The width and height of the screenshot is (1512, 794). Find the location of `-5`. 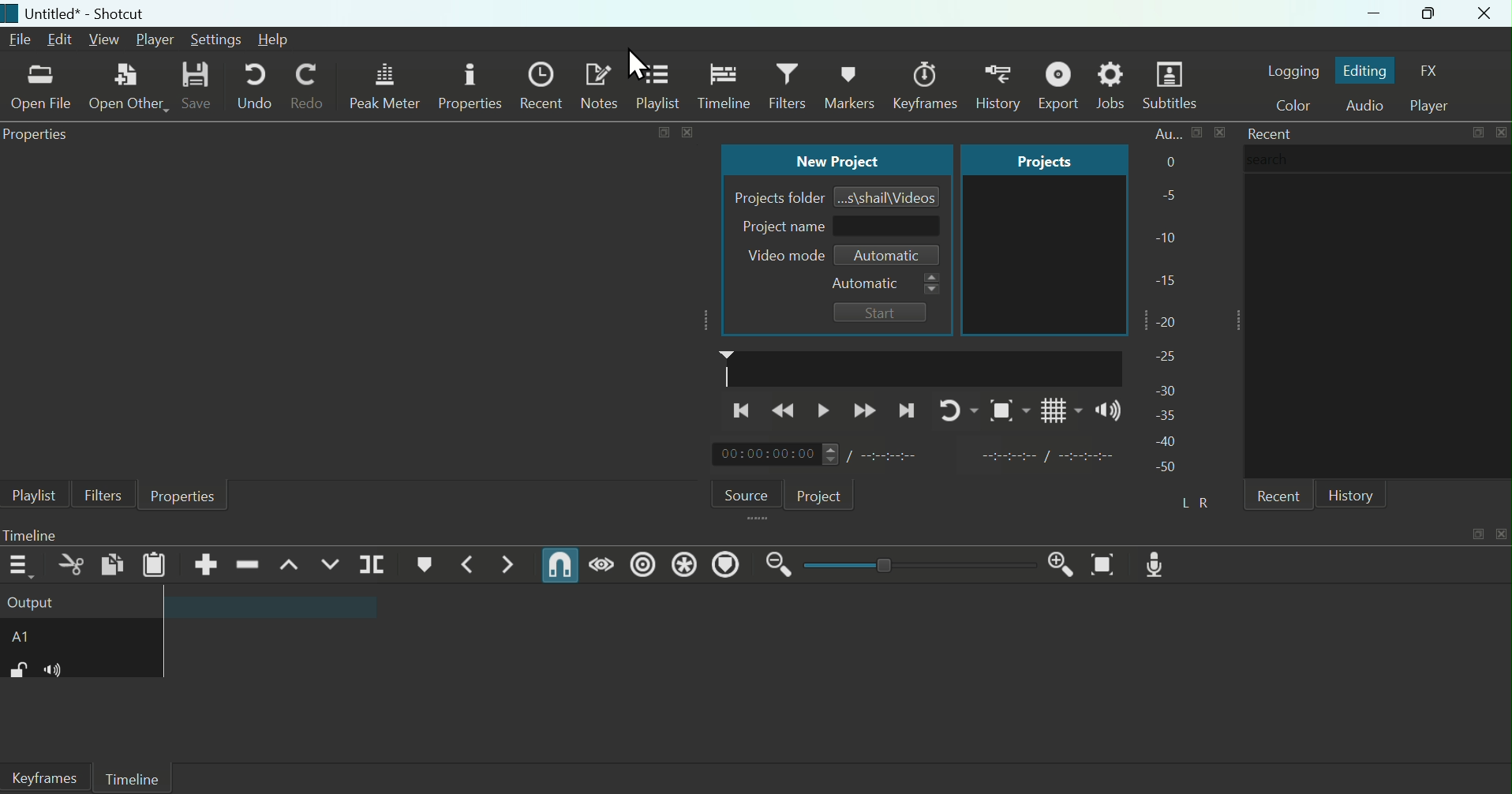

-5 is located at coordinates (1166, 197).